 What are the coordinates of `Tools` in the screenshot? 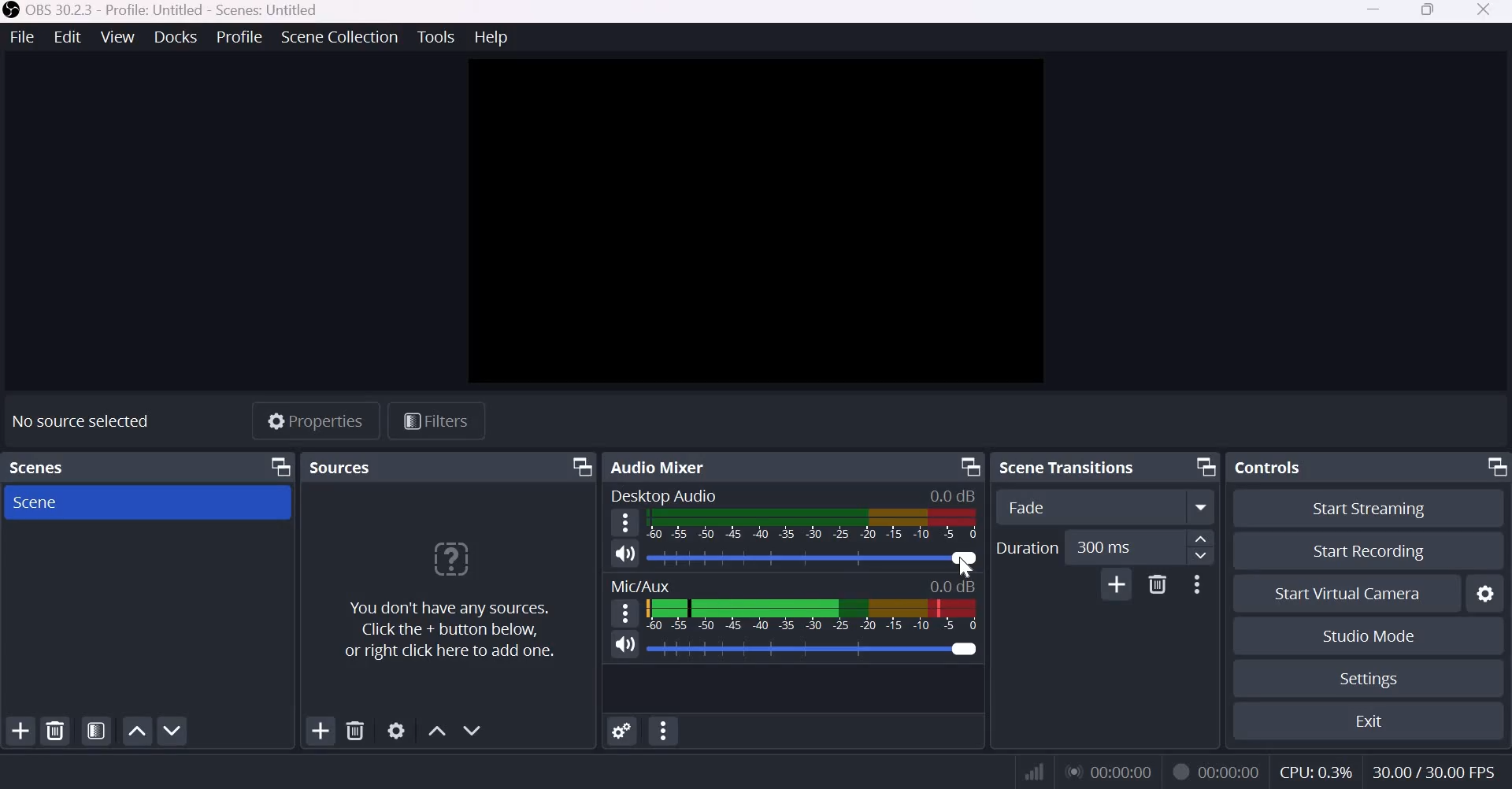 It's located at (436, 37).